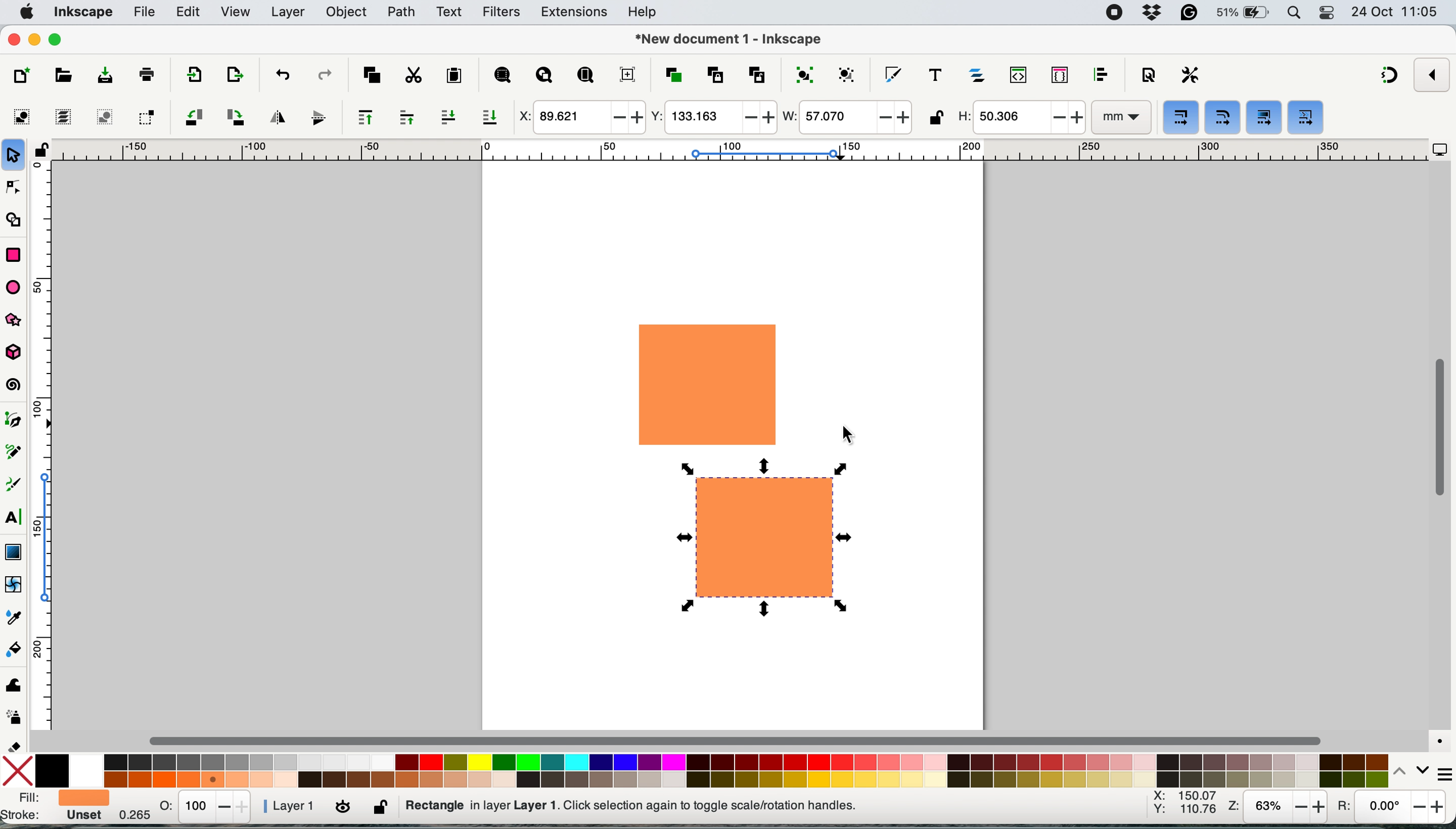 The image size is (1456, 829). I want to click on path, so click(401, 12).